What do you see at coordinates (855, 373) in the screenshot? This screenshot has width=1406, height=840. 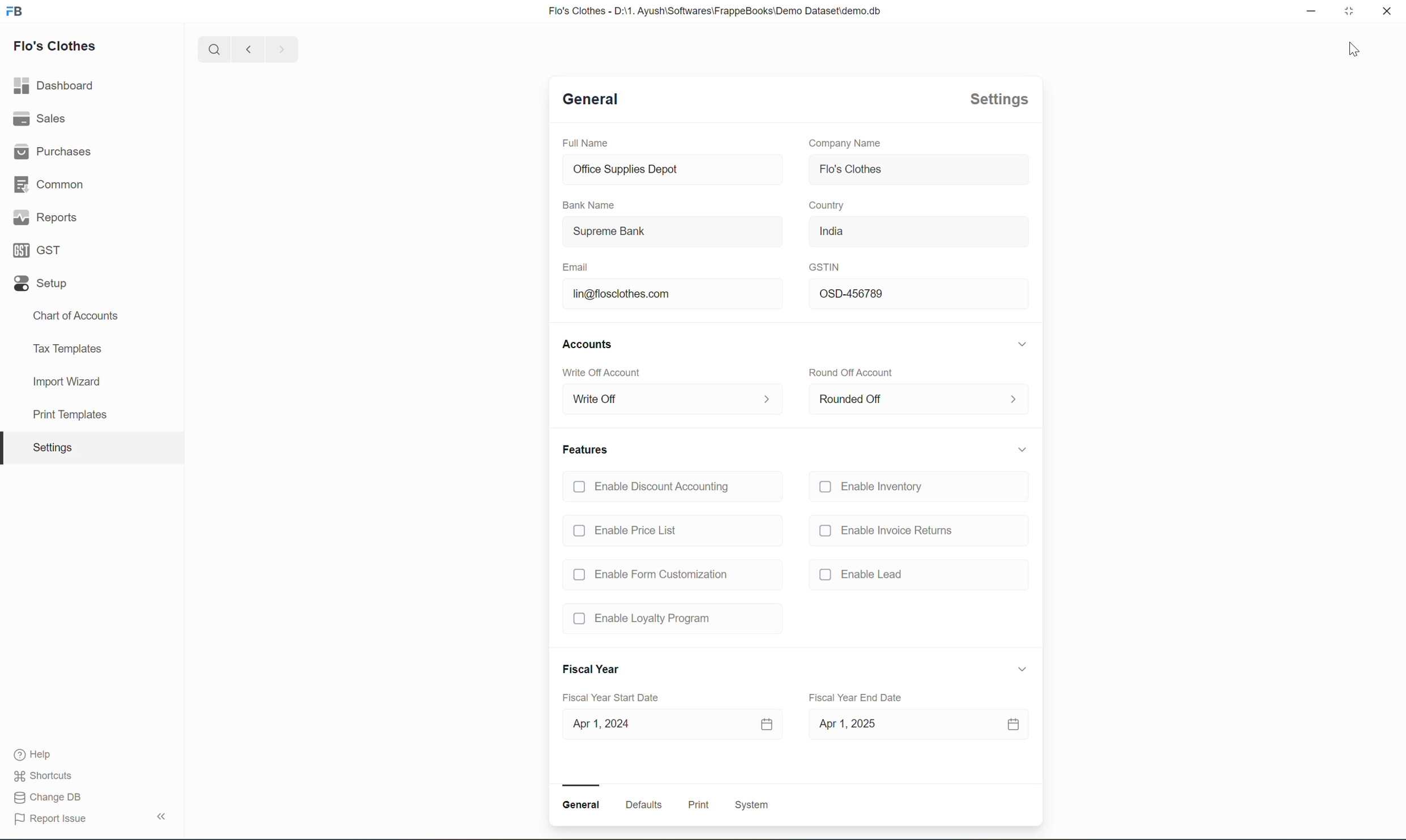 I see `Round Off Account` at bounding box center [855, 373].